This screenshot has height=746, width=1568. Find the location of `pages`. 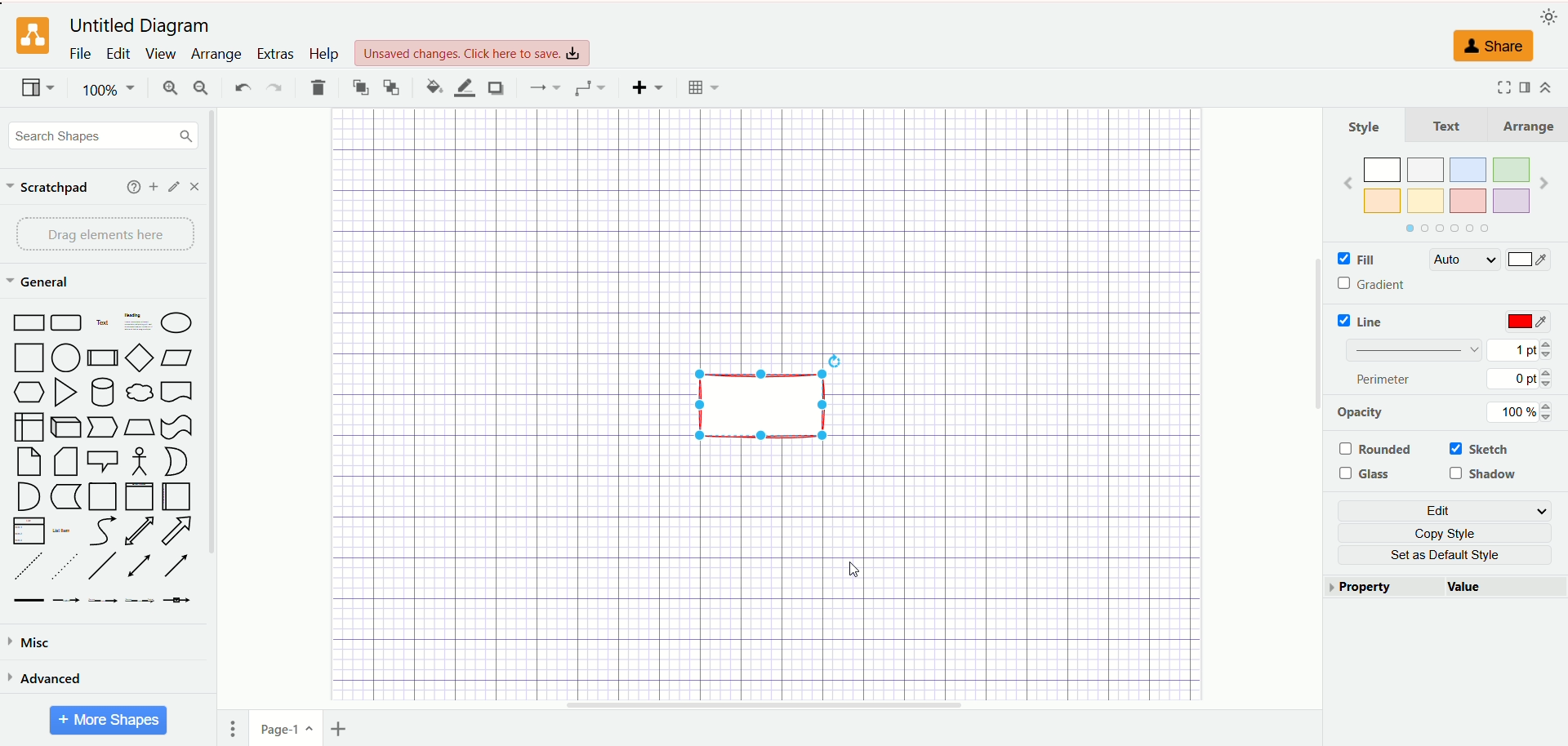

pages is located at coordinates (236, 730).